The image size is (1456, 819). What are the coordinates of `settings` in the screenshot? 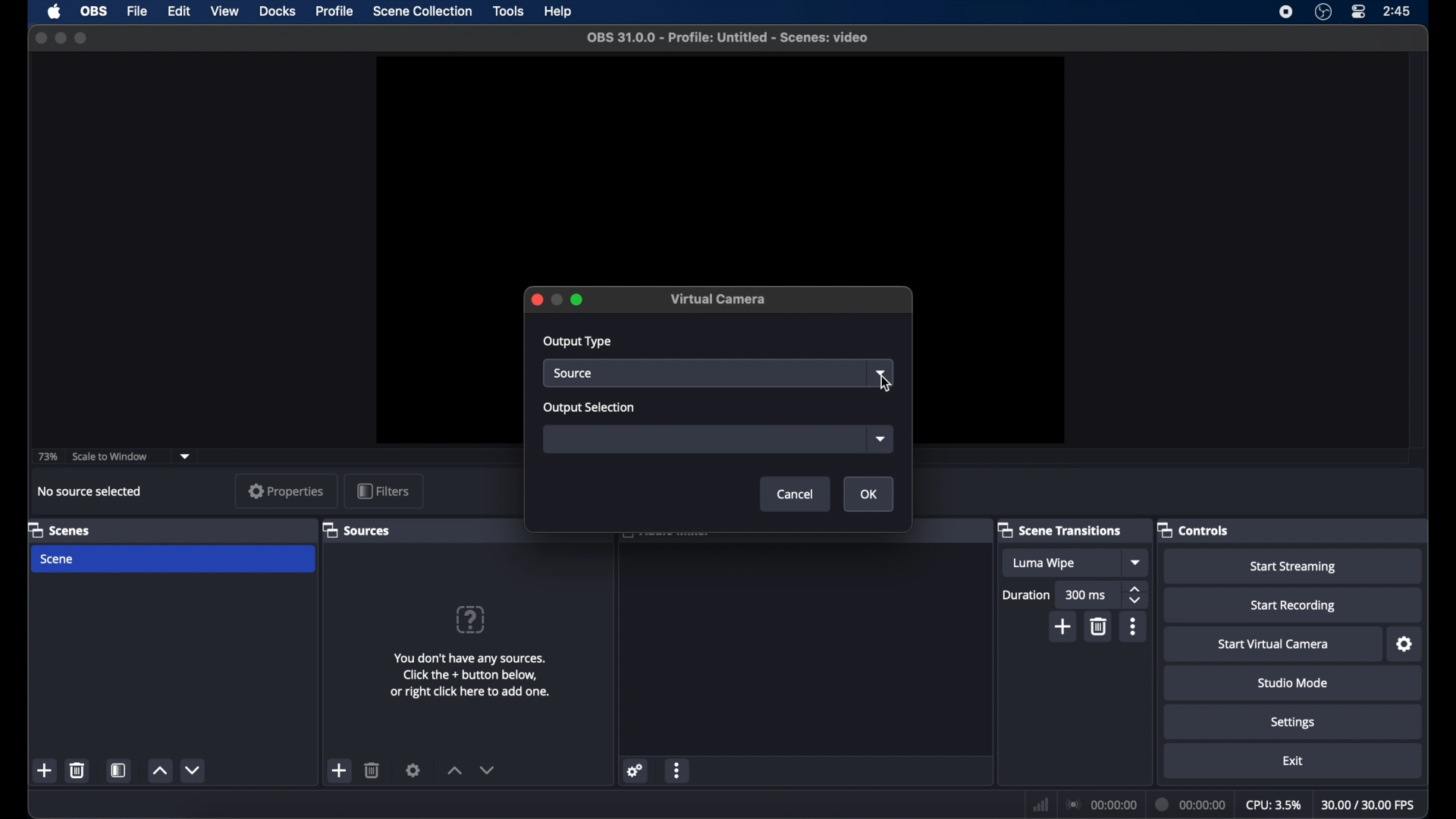 It's located at (414, 769).